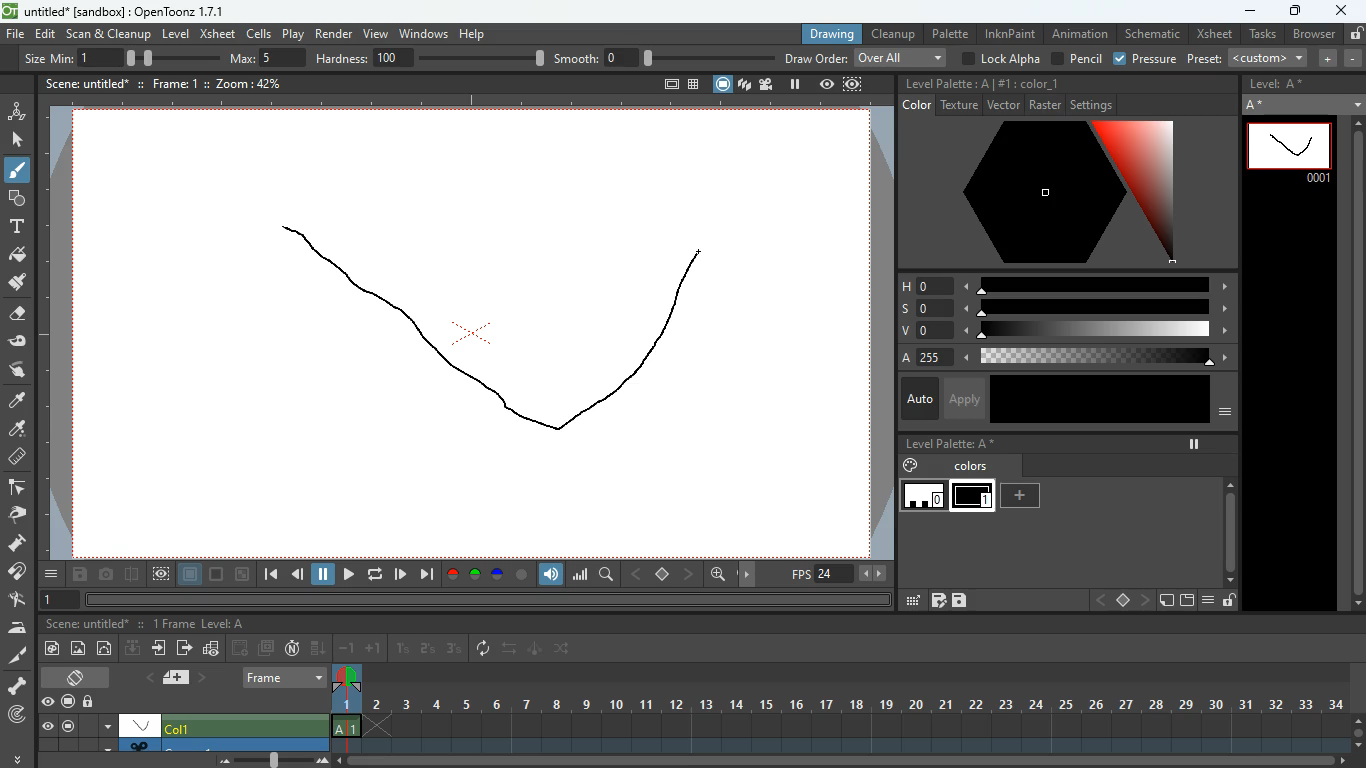 This screenshot has width=1366, height=768. I want to click on texture, so click(959, 105).